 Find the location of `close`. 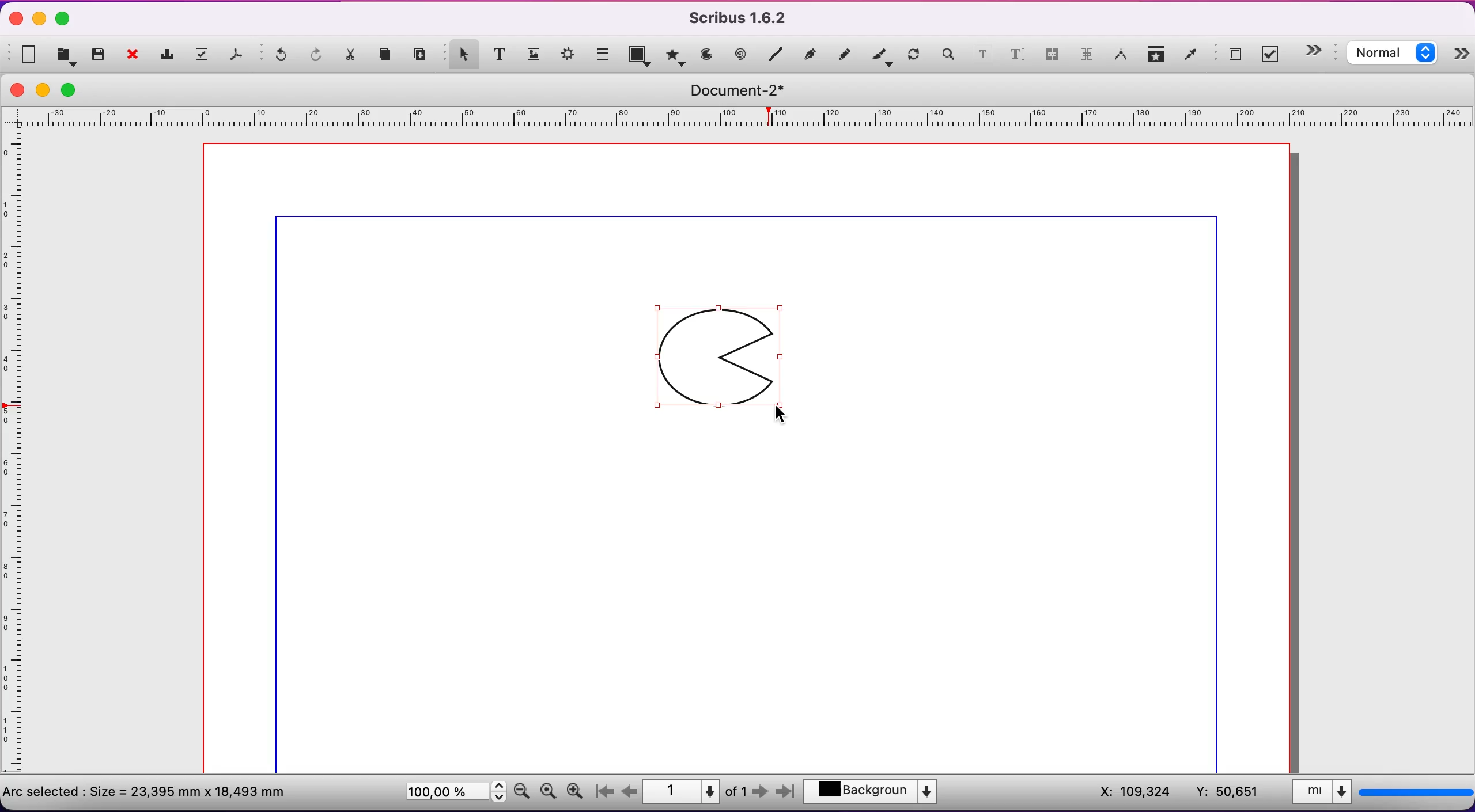

close is located at coordinates (17, 90).